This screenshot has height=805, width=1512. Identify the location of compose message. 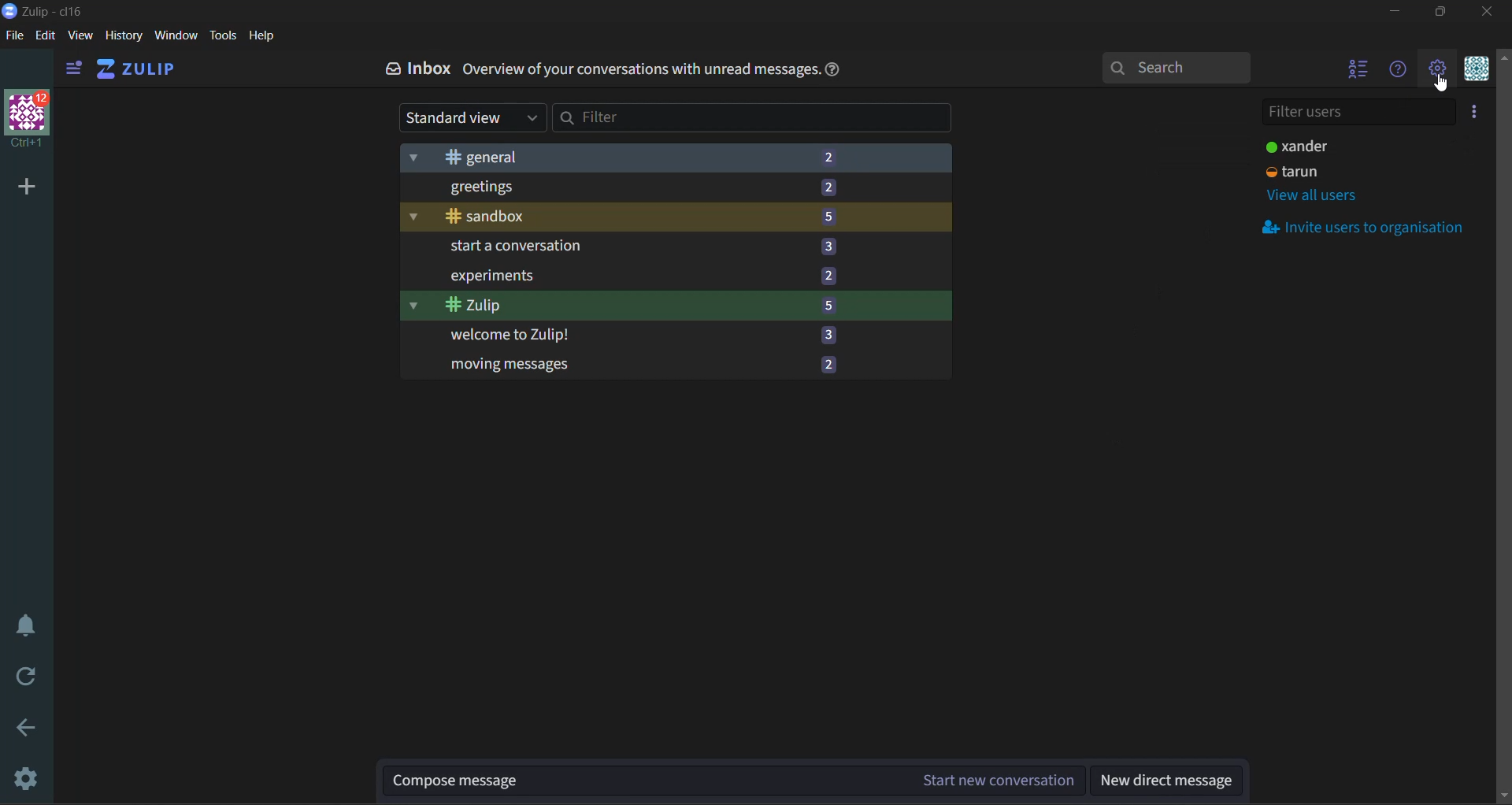
(735, 778).